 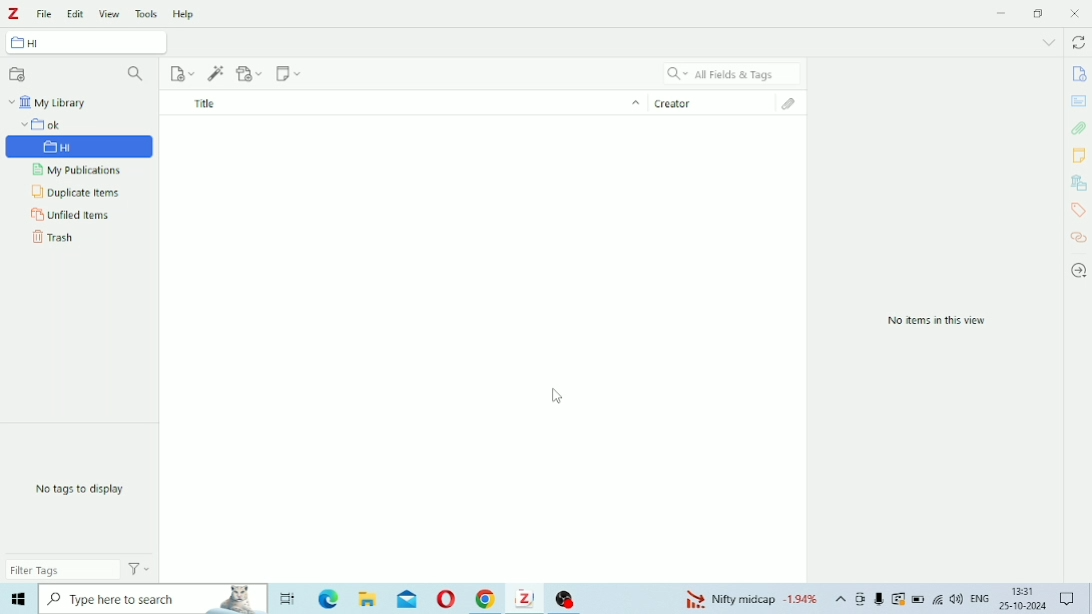 What do you see at coordinates (109, 14) in the screenshot?
I see `View` at bounding box center [109, 14].